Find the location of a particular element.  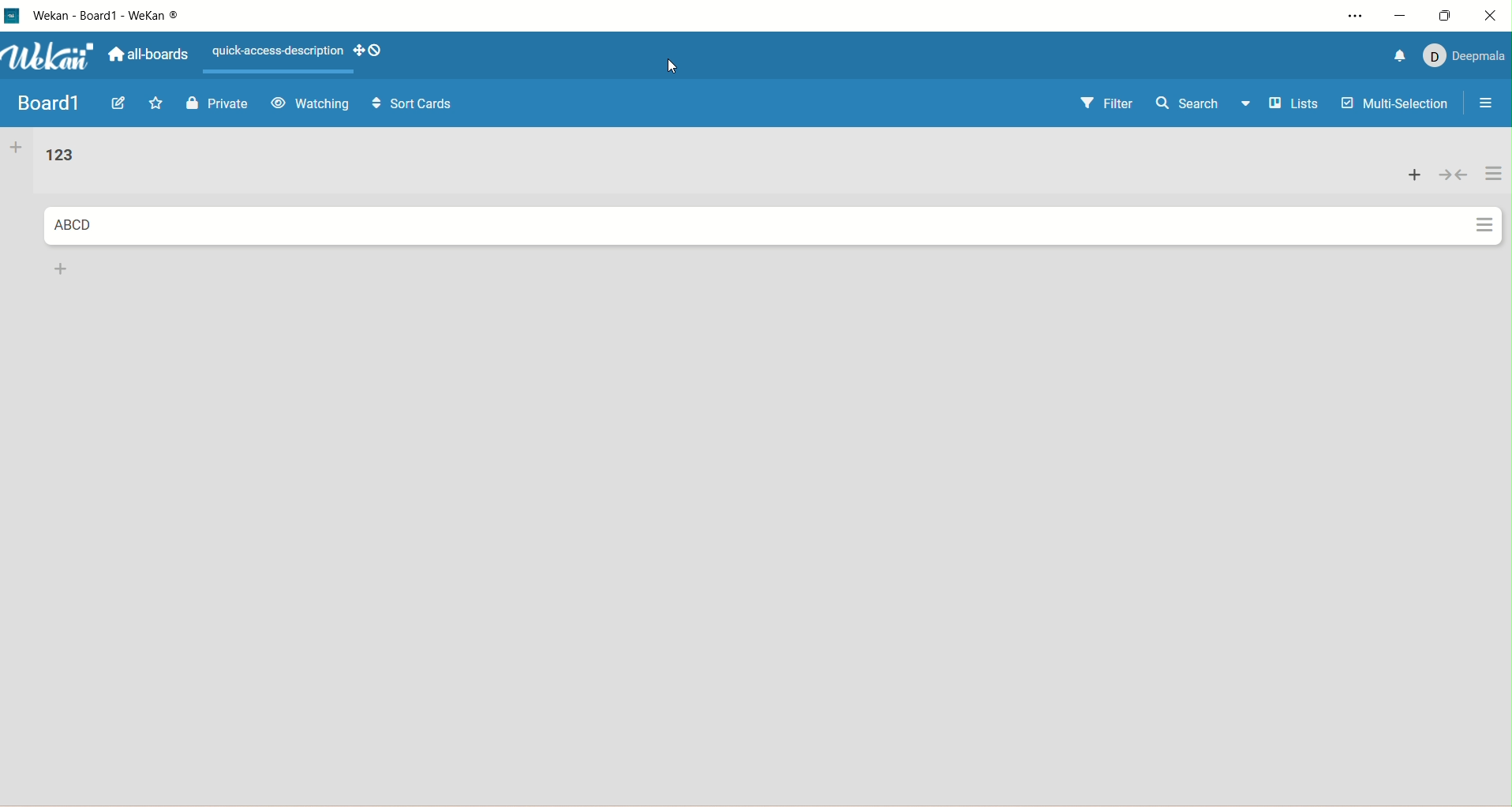

wekan-wekan is located at coordinates (107, 16).